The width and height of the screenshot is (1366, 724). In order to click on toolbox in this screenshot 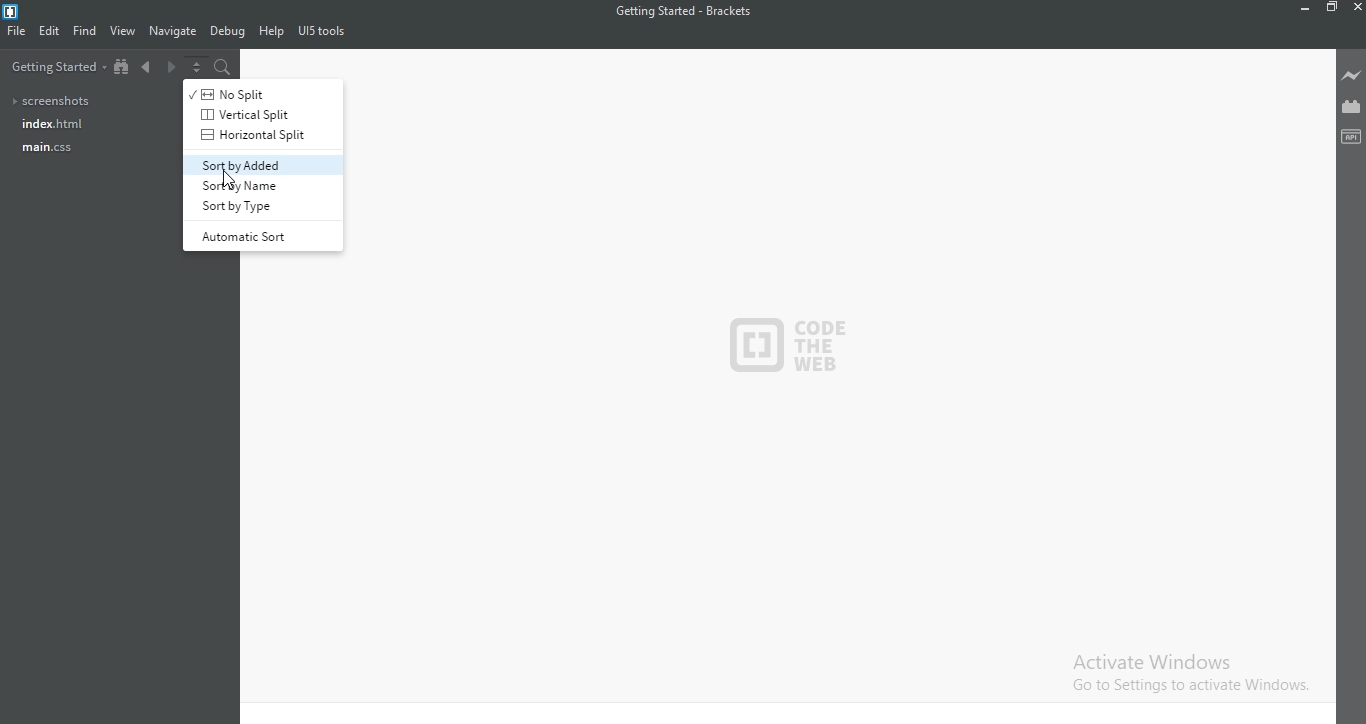, I will do `click(1352, 135)`.